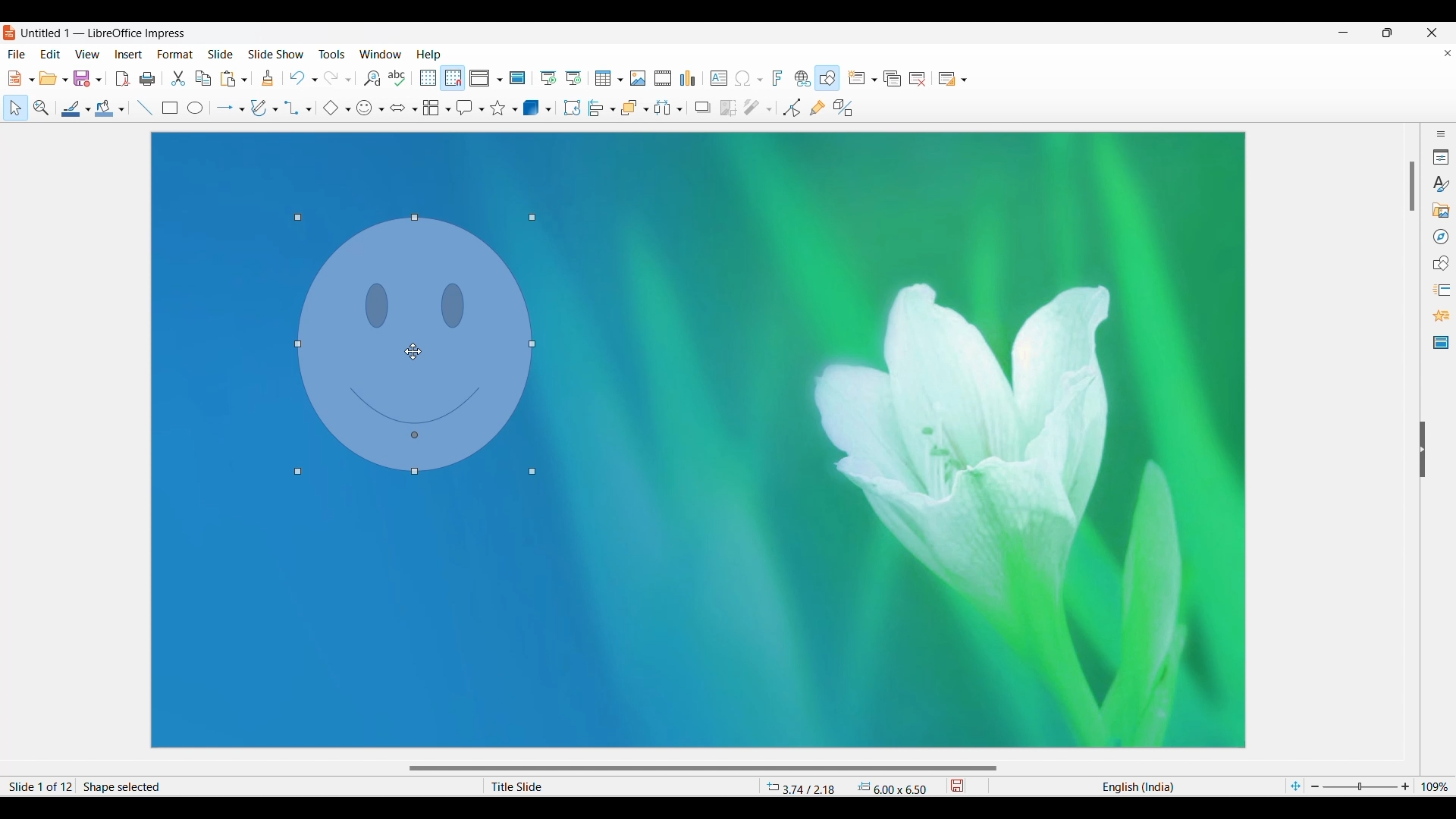  I want to click on Basic shape options, so click(348, 109).